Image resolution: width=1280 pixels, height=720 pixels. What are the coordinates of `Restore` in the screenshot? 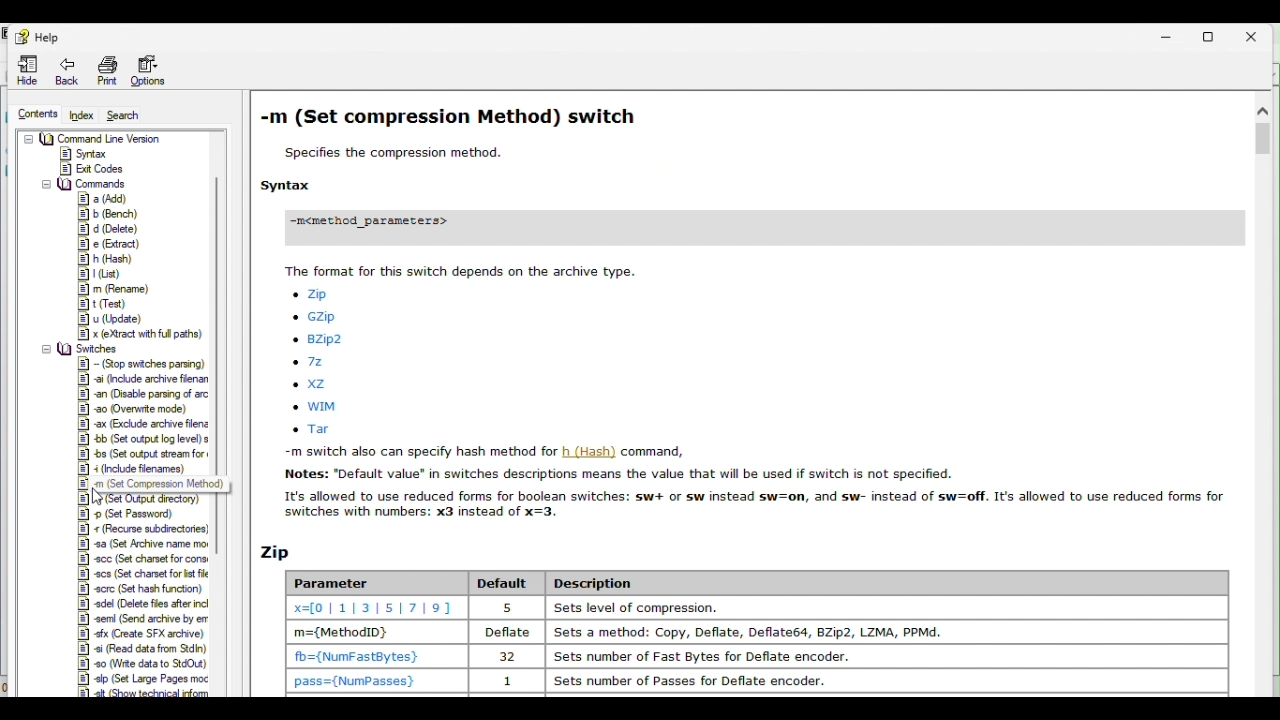 It's located at (1212, 33).